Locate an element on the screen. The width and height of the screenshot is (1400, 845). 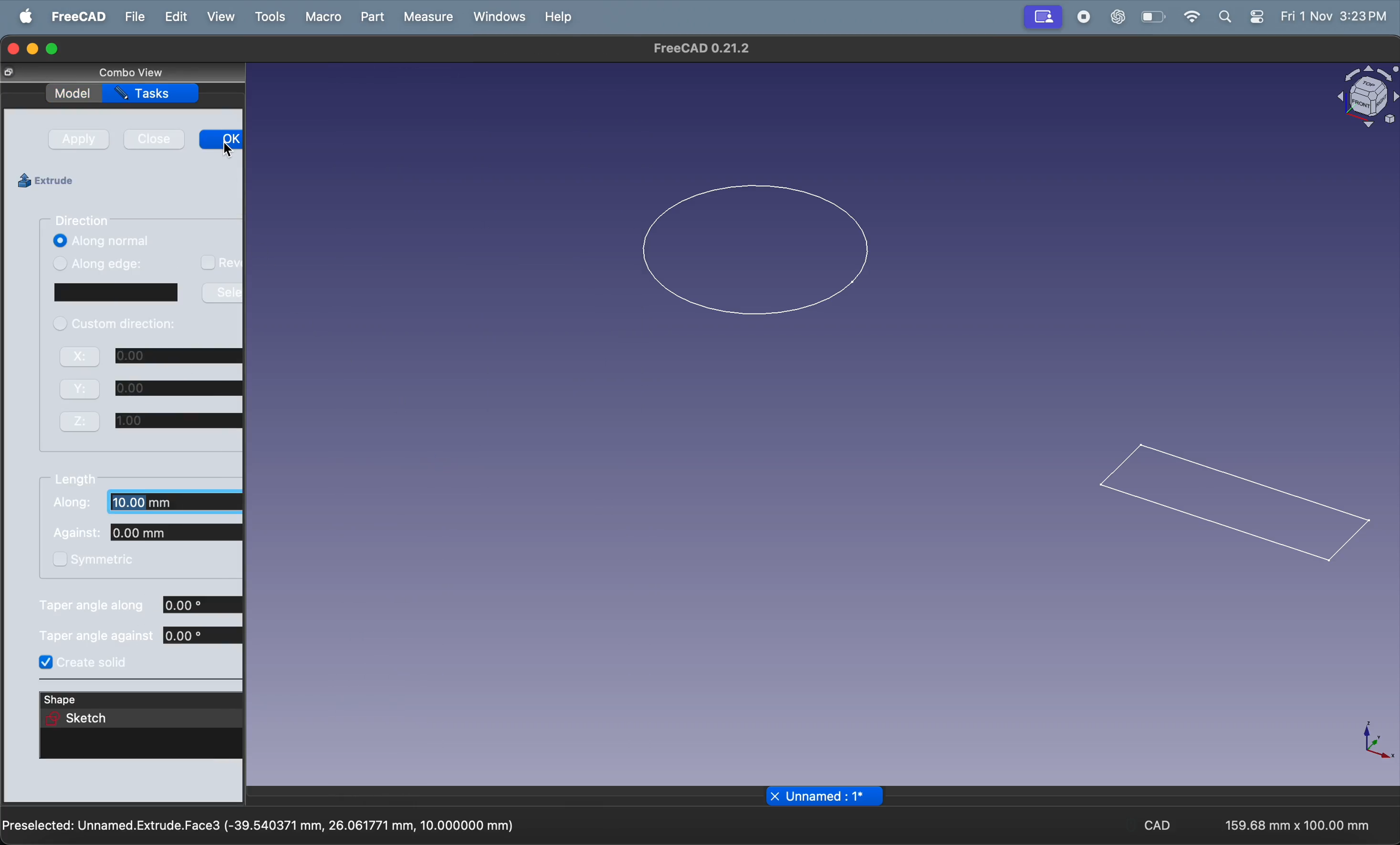
Combo View is located at coordinates (142, 73).